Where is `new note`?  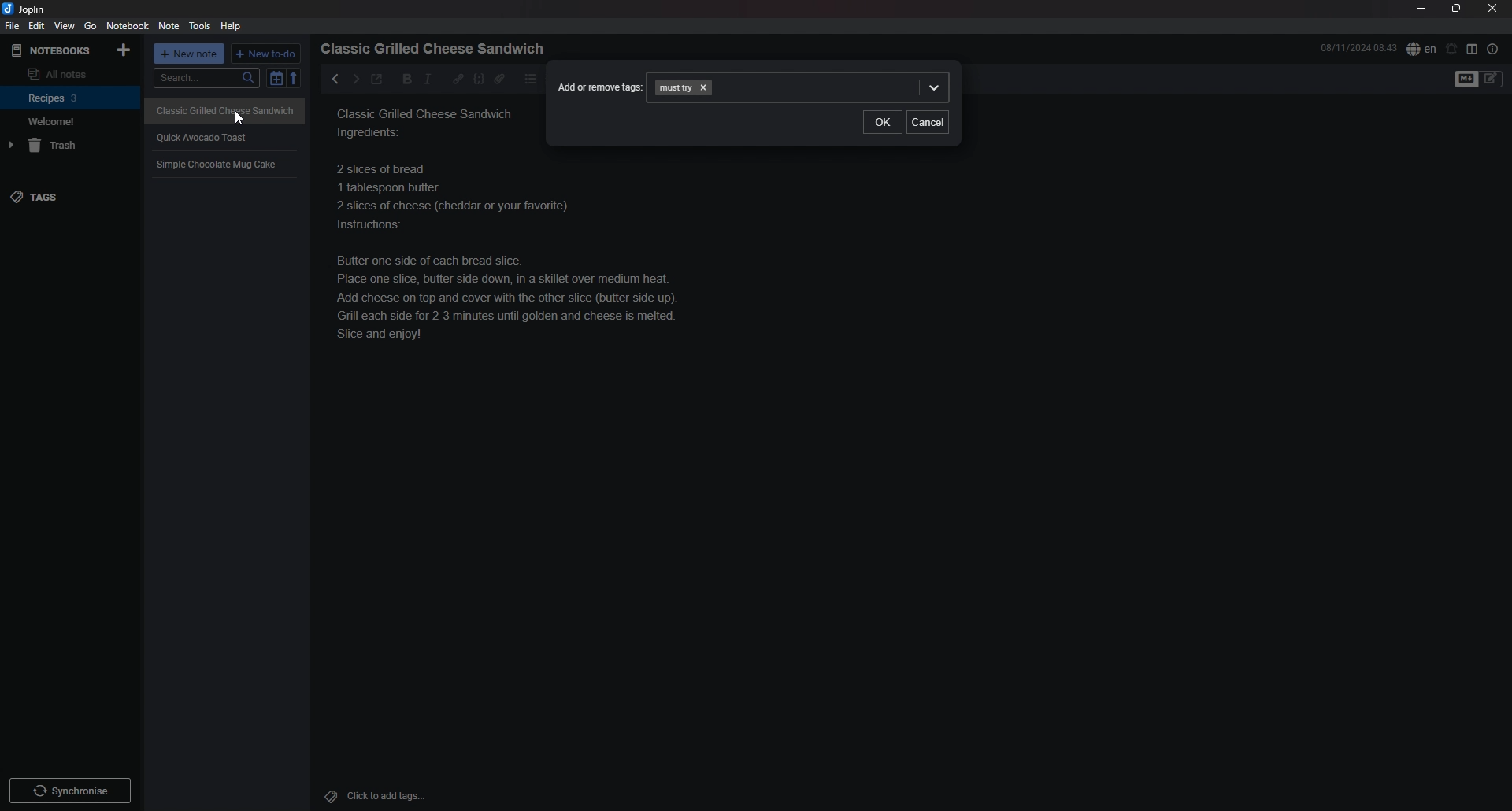
new note is located at coordinates (190, 54).